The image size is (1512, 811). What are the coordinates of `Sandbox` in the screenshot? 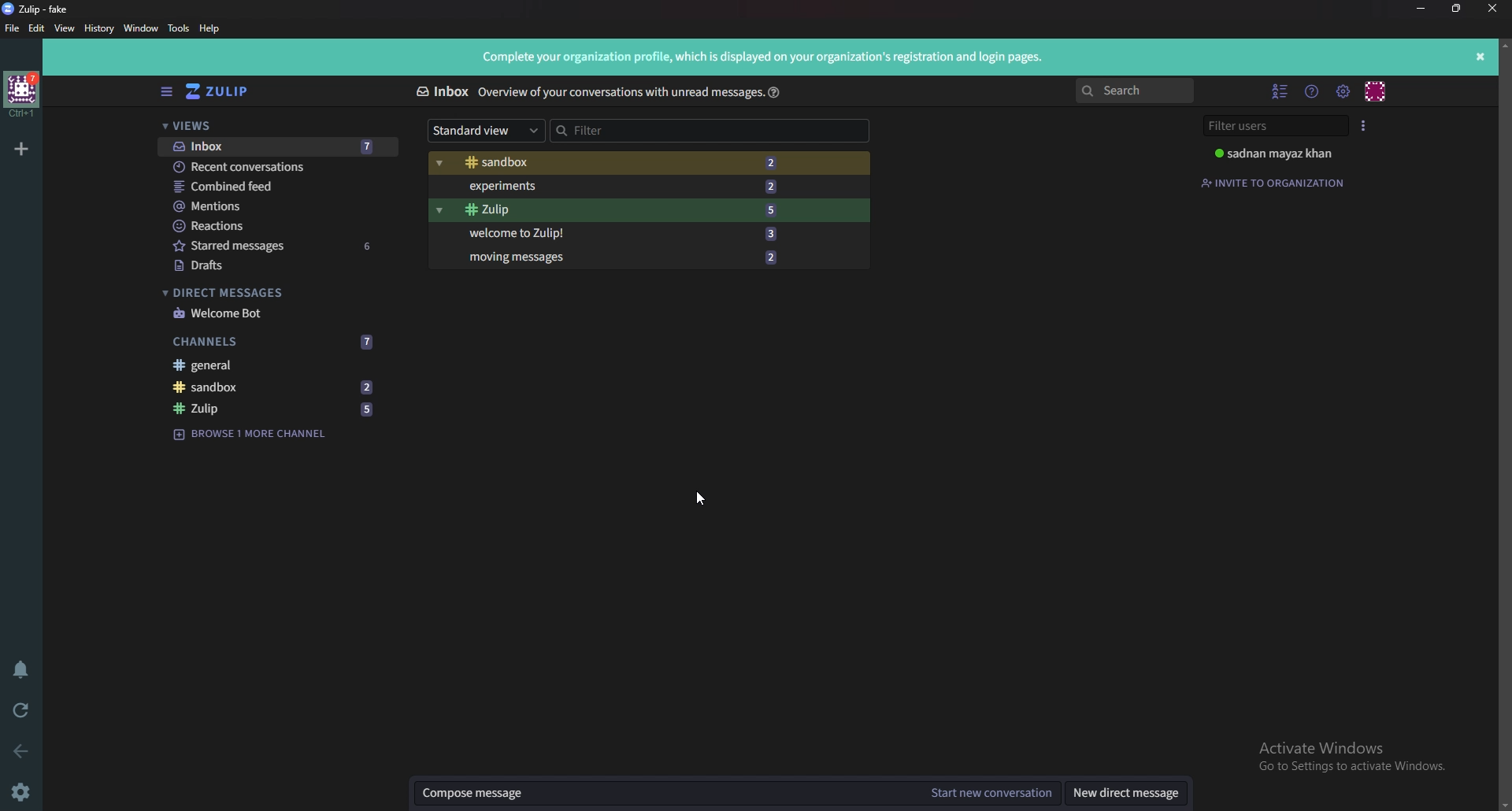 It's located at (276, 387).